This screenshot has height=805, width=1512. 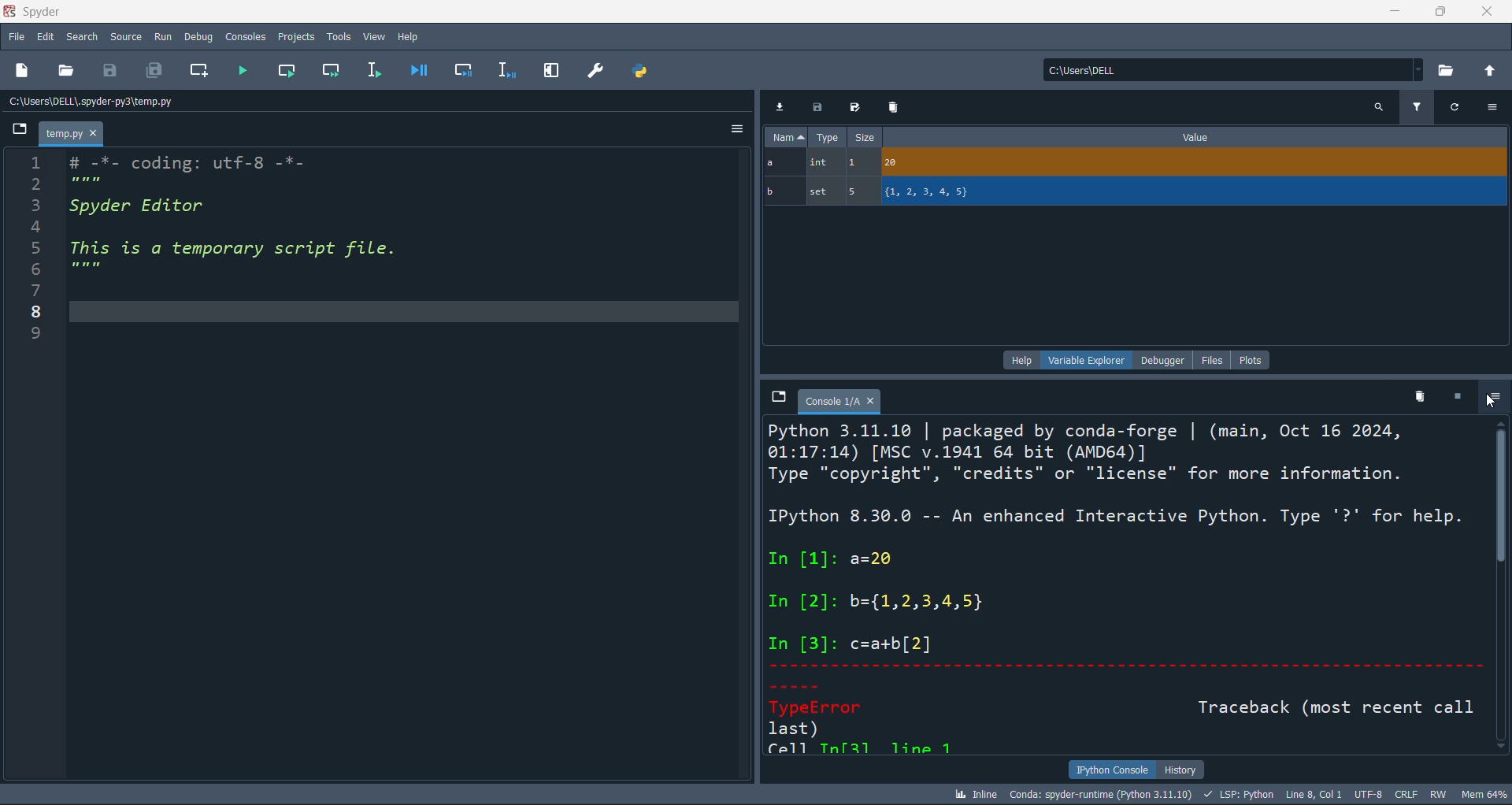 What do you see at coordinates (46, 39) in the screenshot?
I see `edit` at bounding box center [46, 39].